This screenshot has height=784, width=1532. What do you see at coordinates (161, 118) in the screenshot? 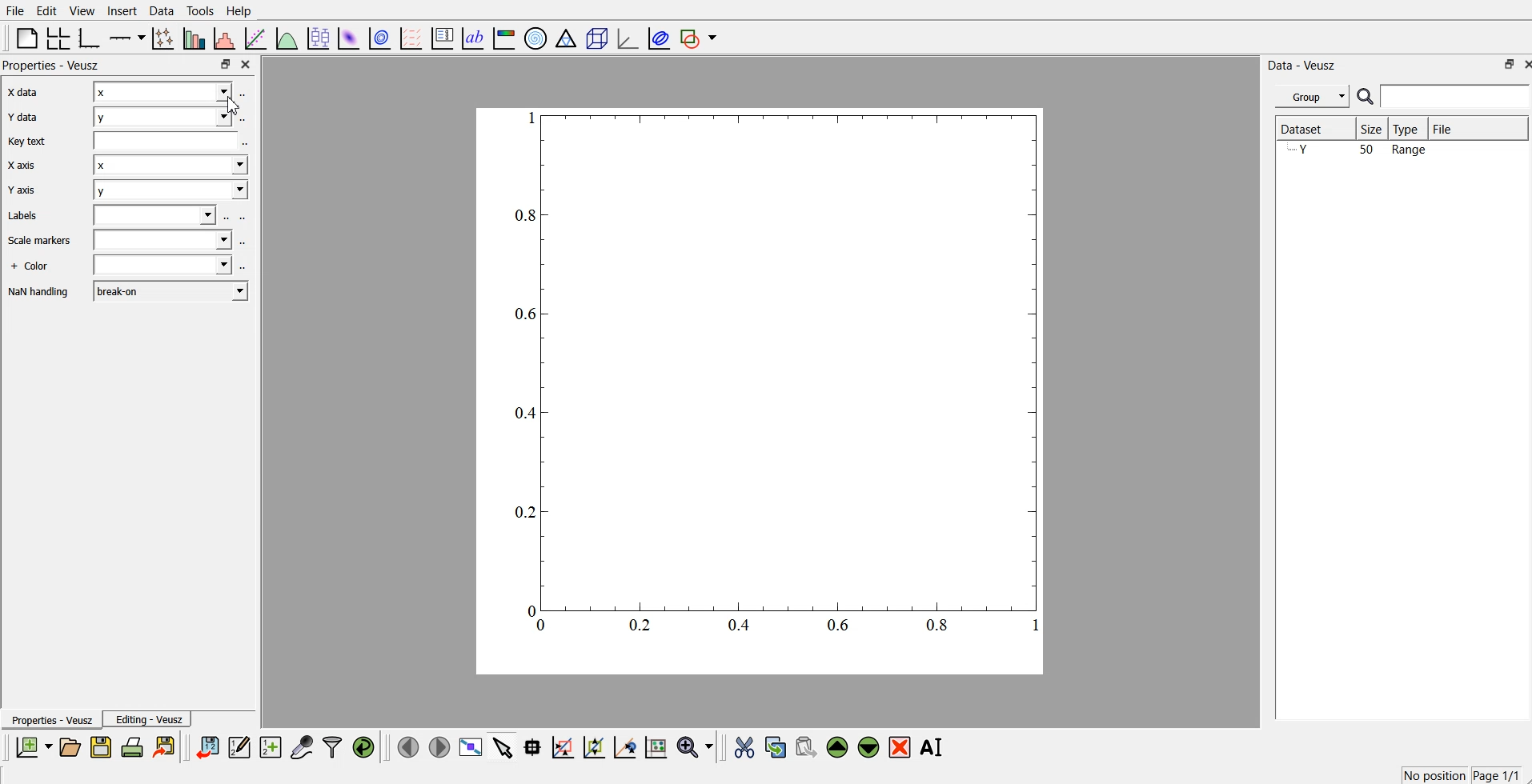
I see `y` at bounding box center [161, 118].